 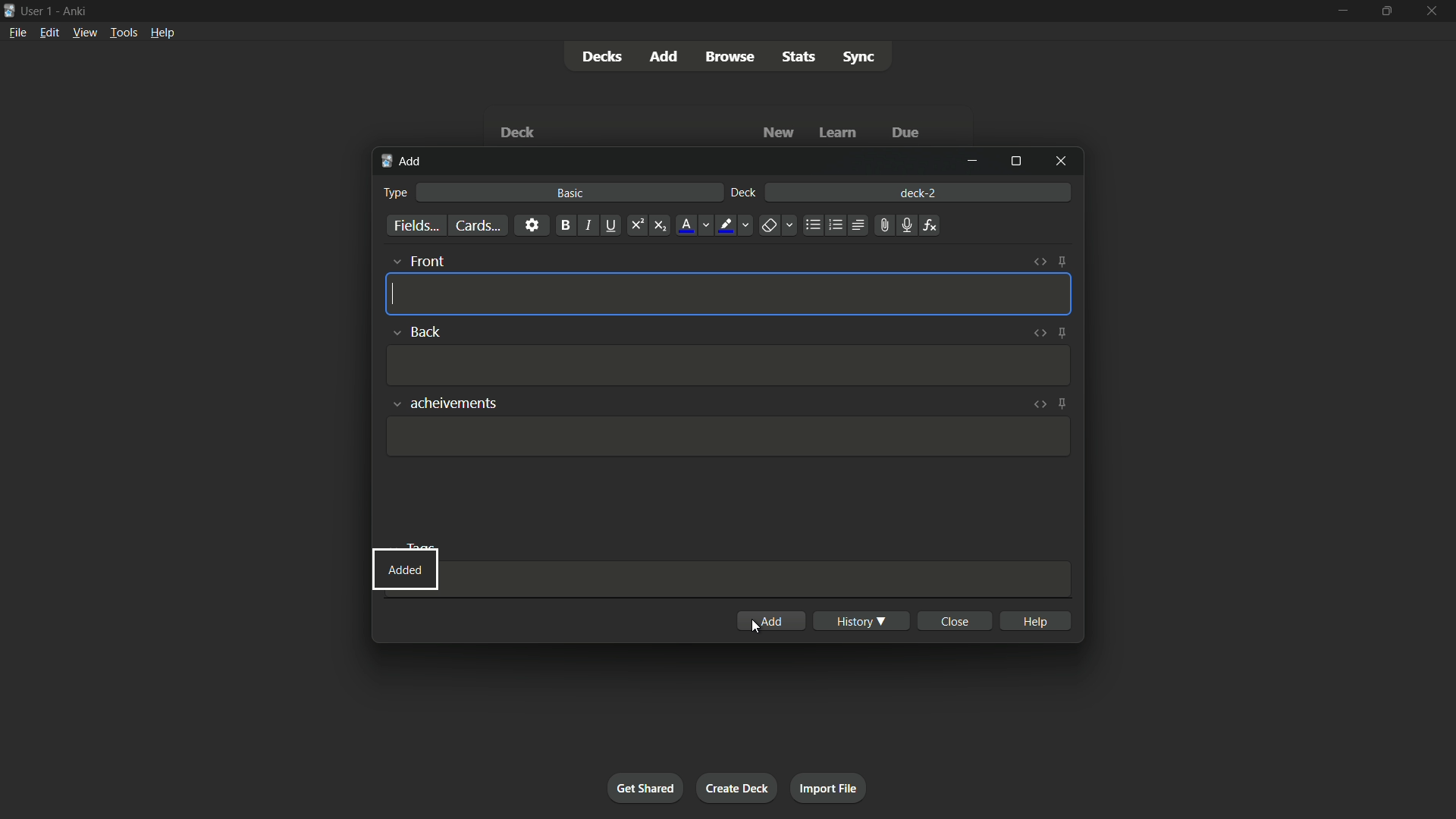 I want to click on tools menu, so click(x=124, y=33).